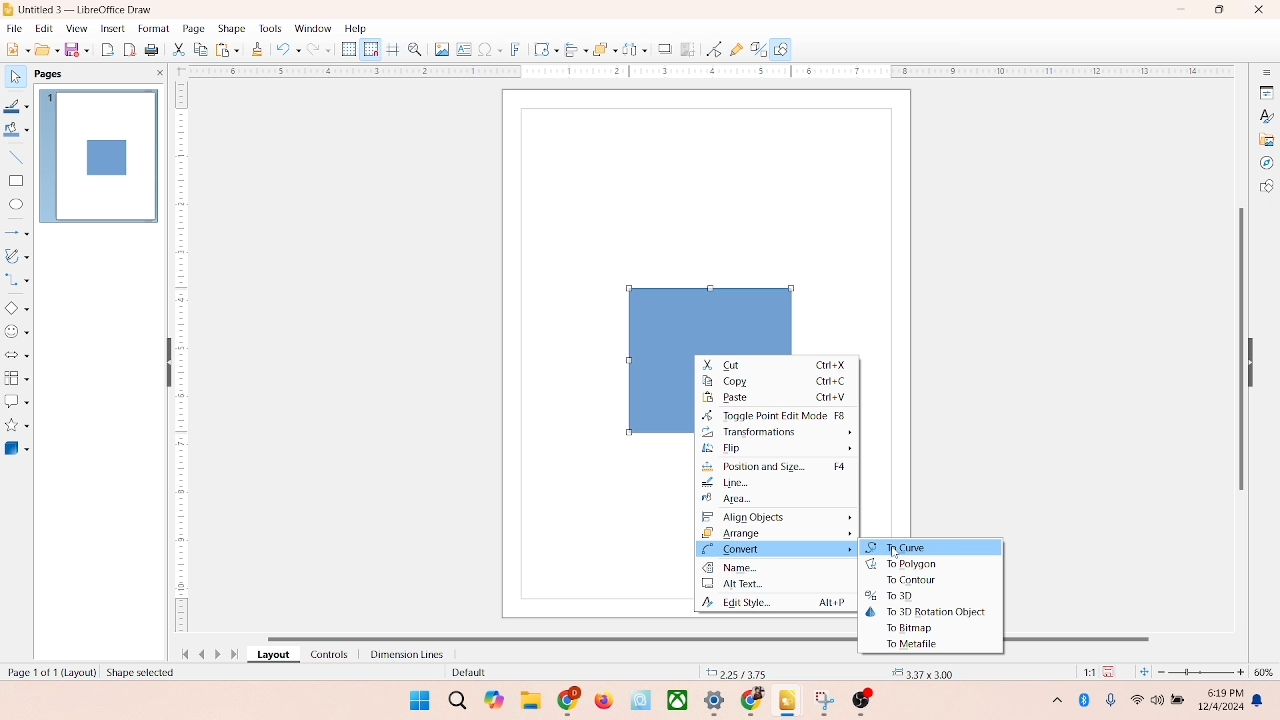 Image resolution: width=1280 pixels, height=720 pixels. I want to click on curves and polygons, so click(18, 254).